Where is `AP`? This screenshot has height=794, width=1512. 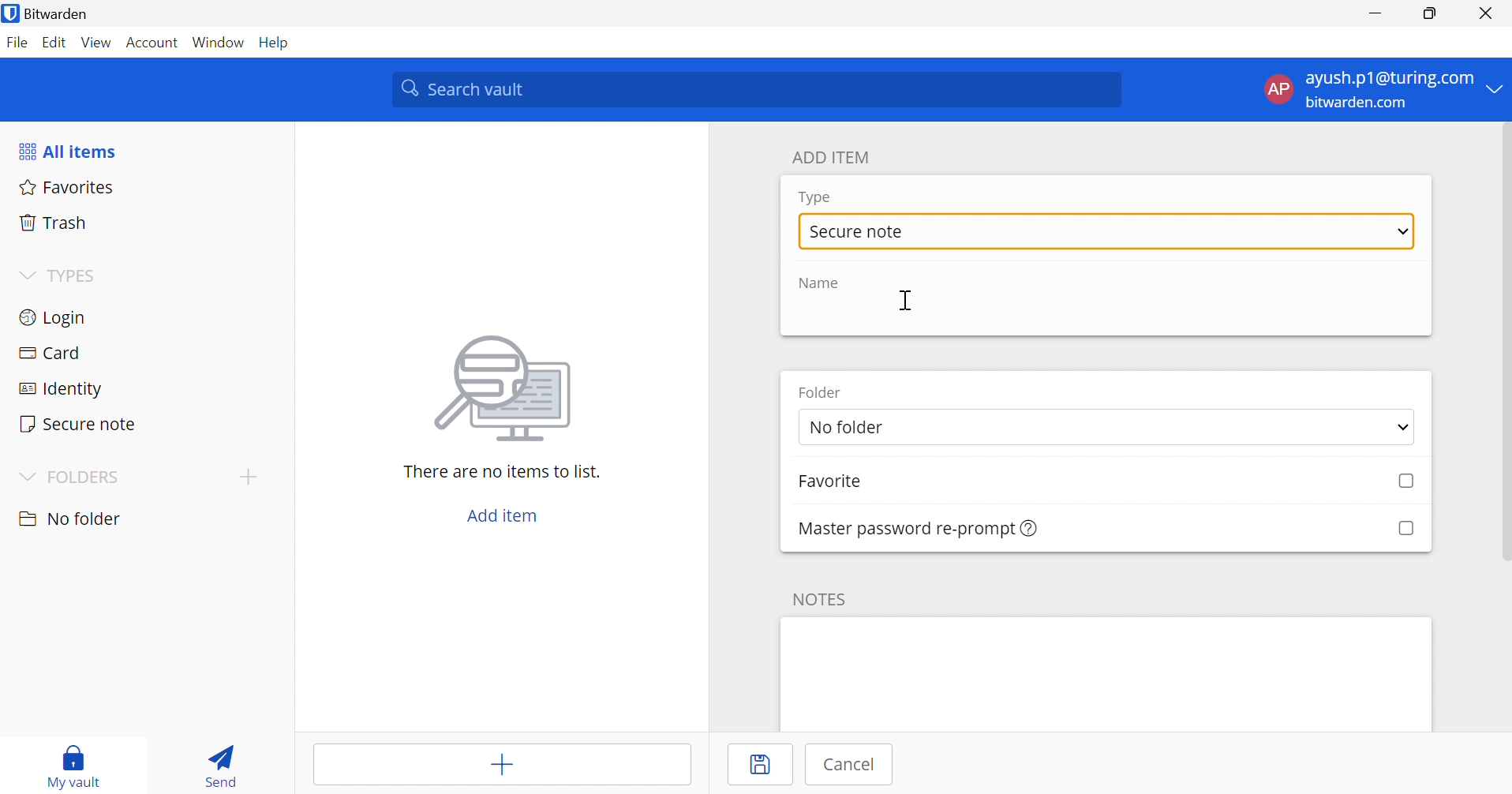
AP is located at coordinates (1276, 88).